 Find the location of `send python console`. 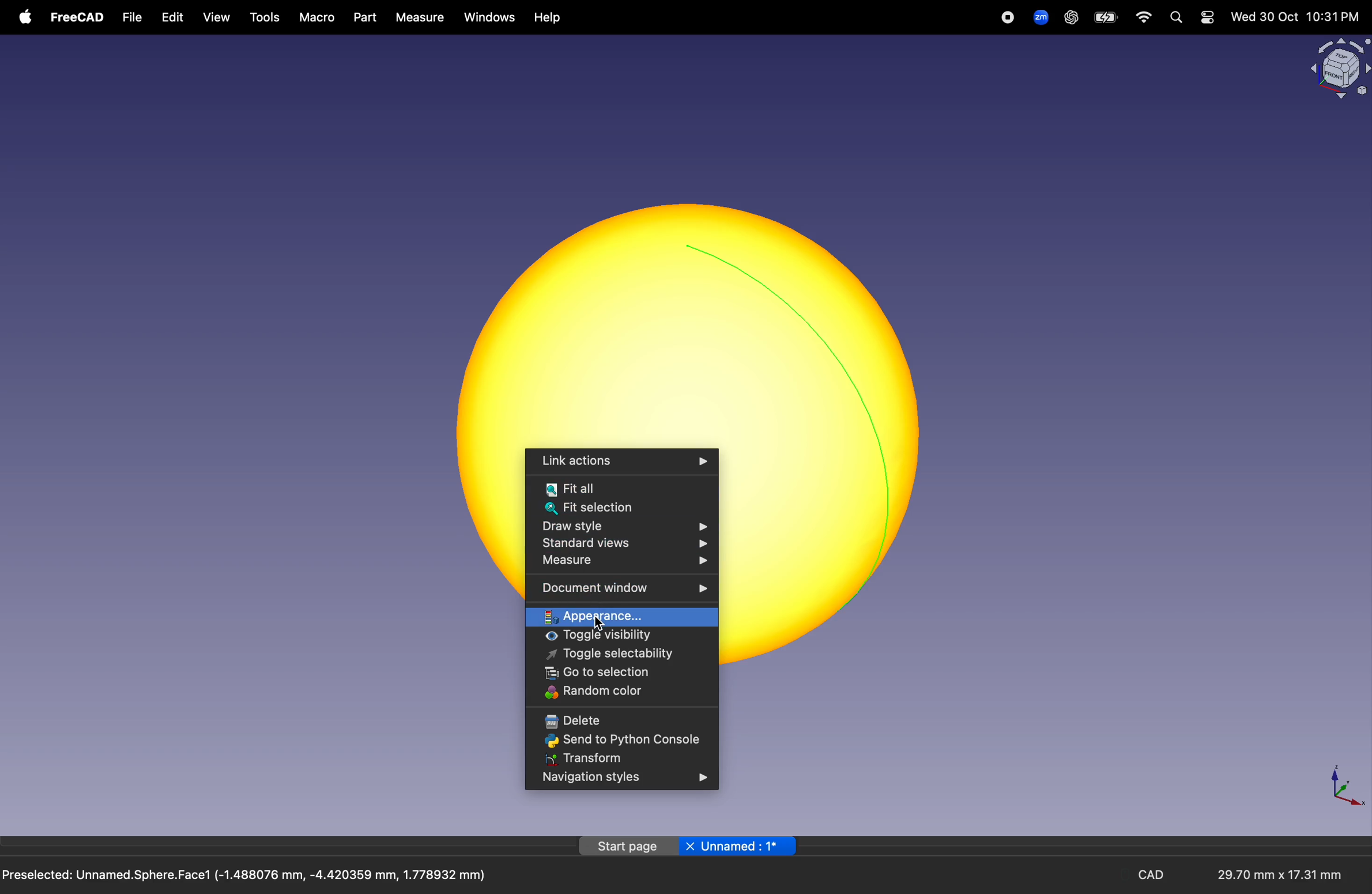

send python console is located at coordinates (620, 740).